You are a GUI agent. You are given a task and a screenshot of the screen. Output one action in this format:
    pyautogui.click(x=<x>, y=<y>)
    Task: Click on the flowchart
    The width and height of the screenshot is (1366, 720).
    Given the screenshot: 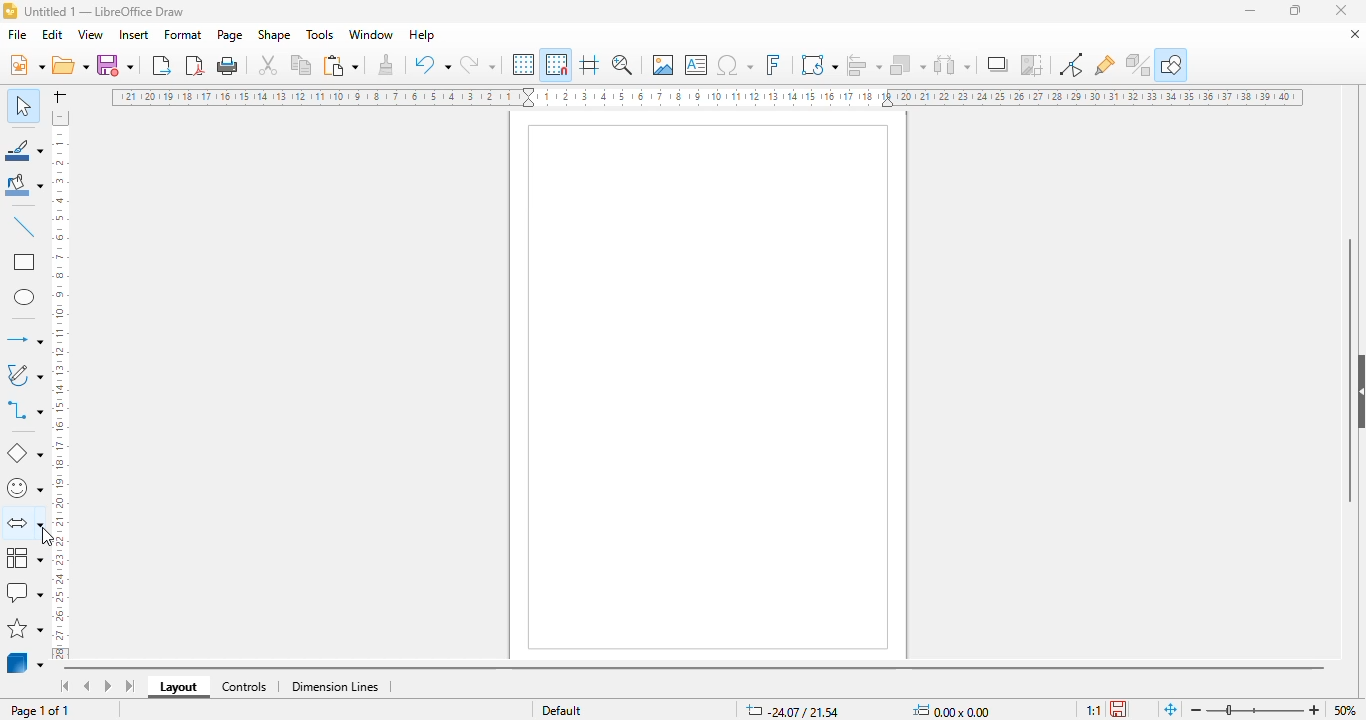 What is the action you would take?
    pyautogui.click(x=25, y=558)
    